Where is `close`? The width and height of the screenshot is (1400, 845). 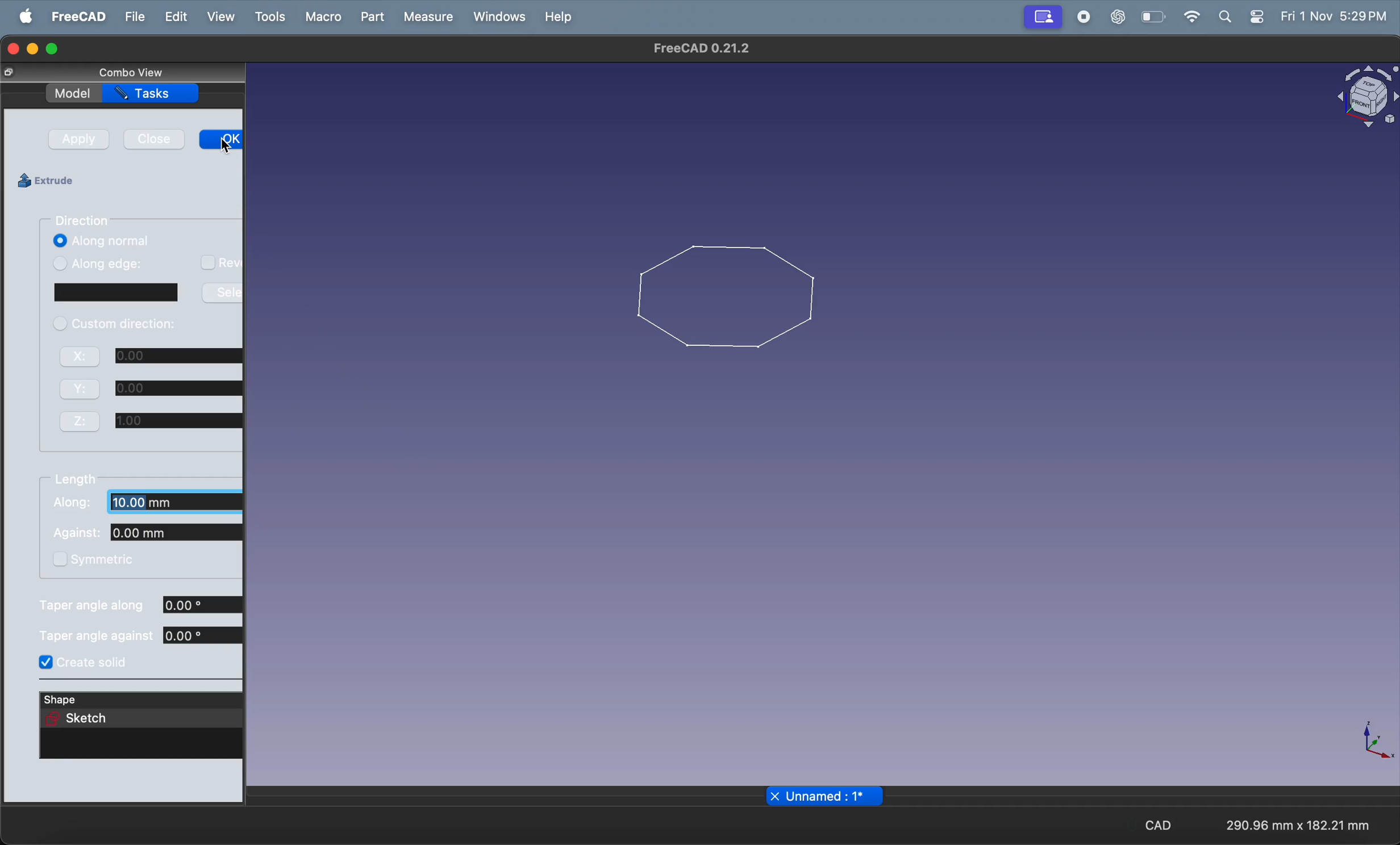 close is located at coordinates (159, 140).